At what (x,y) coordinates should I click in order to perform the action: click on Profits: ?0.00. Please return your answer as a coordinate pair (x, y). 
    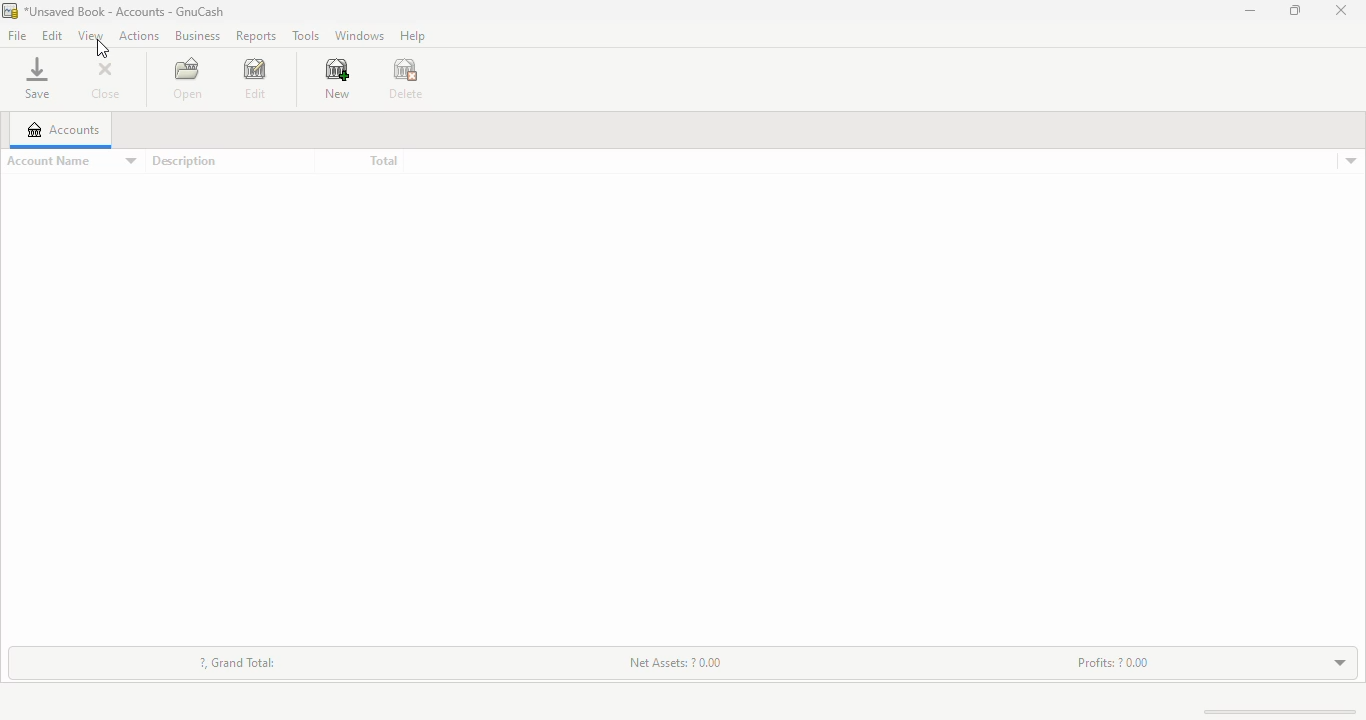
    Looking at the image, I should click on (1113, 662).